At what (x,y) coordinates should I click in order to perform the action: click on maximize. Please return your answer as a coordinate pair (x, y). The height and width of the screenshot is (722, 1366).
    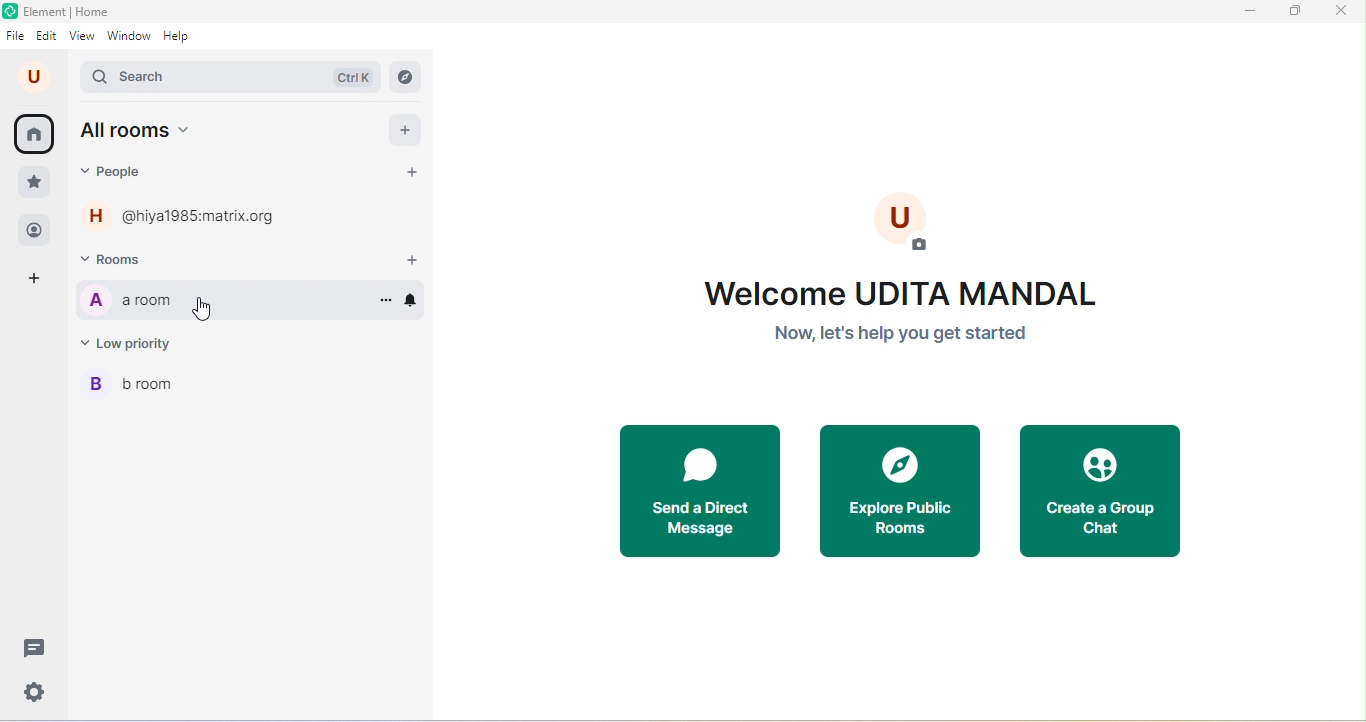
    Looking at the image, I should click on (1294, 14).